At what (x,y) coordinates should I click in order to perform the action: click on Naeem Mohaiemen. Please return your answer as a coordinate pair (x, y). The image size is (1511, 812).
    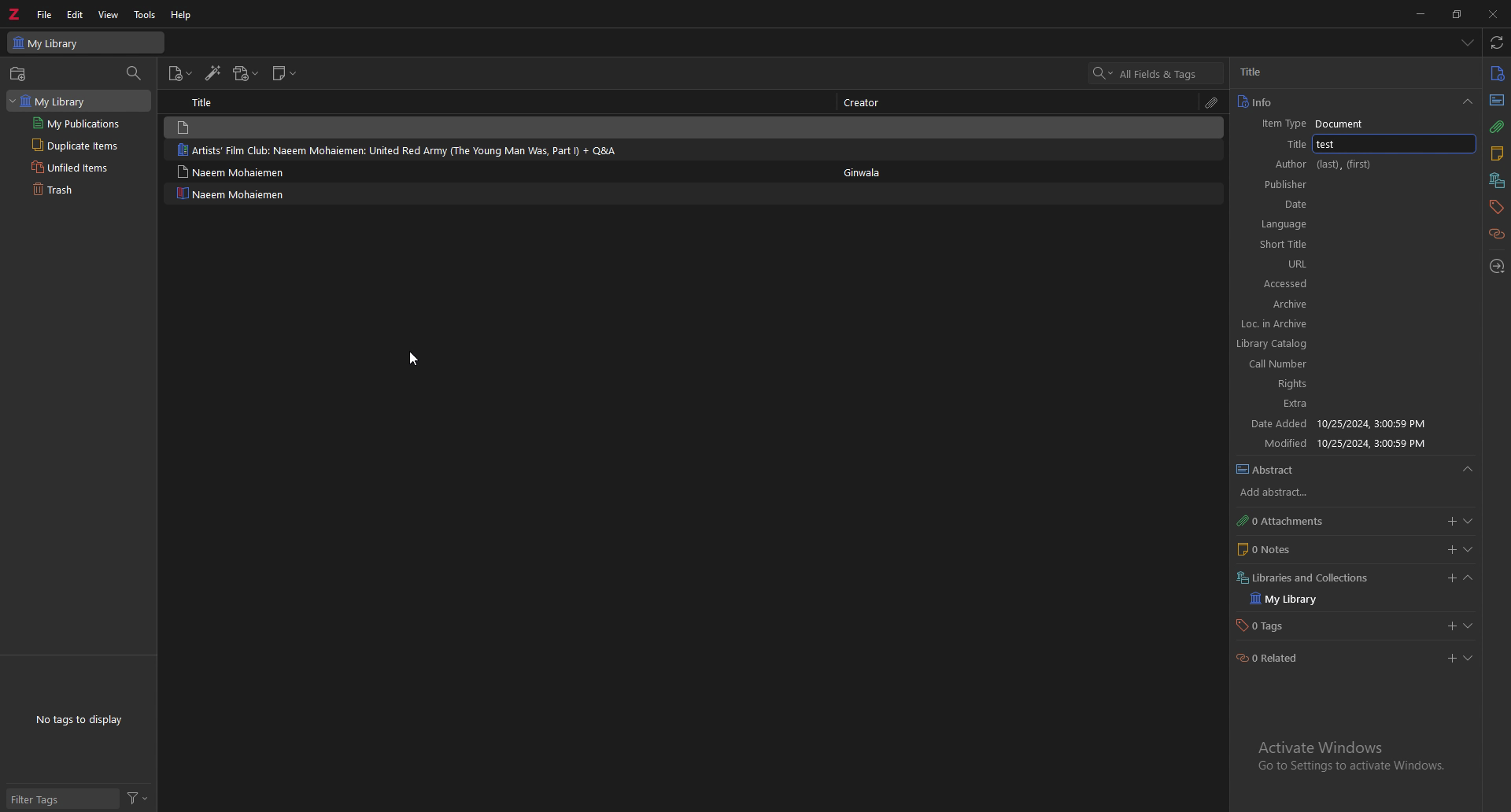
    Looking at the image, I should click on (231, 194).